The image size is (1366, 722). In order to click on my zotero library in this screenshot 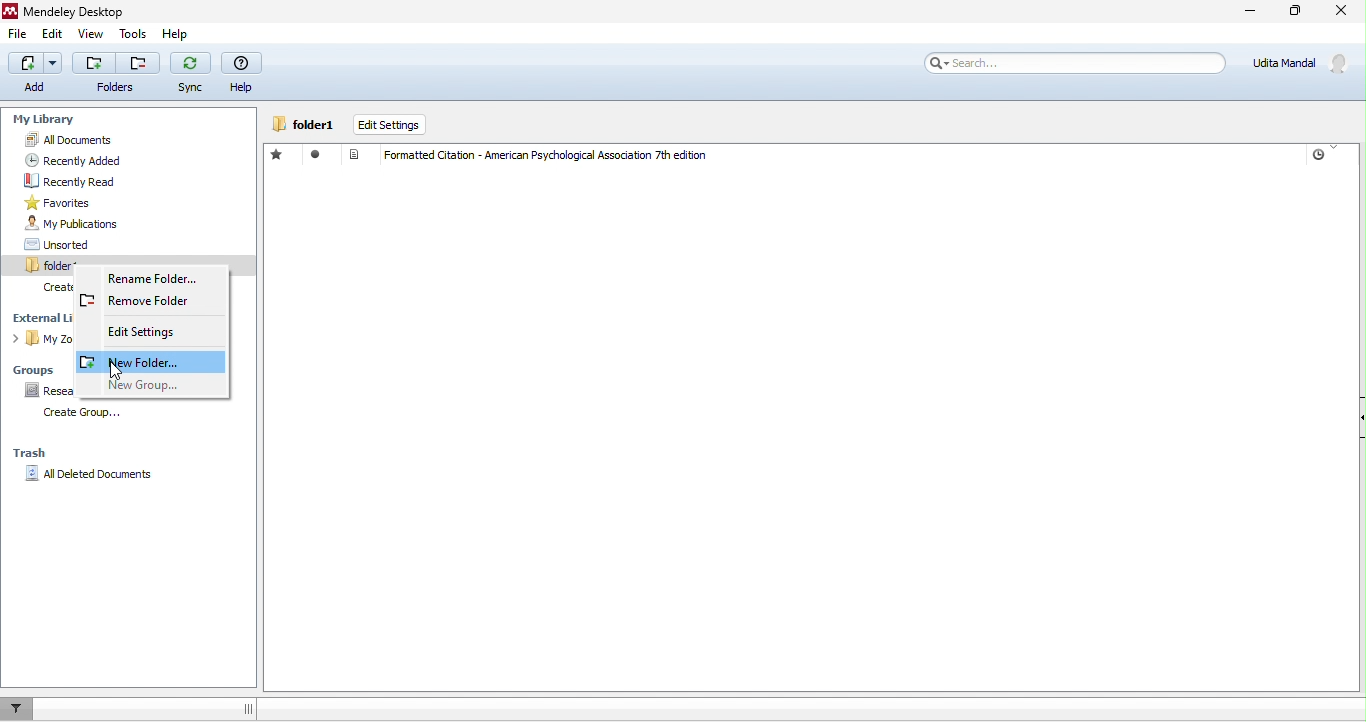, I will do `click(39, 338)`.